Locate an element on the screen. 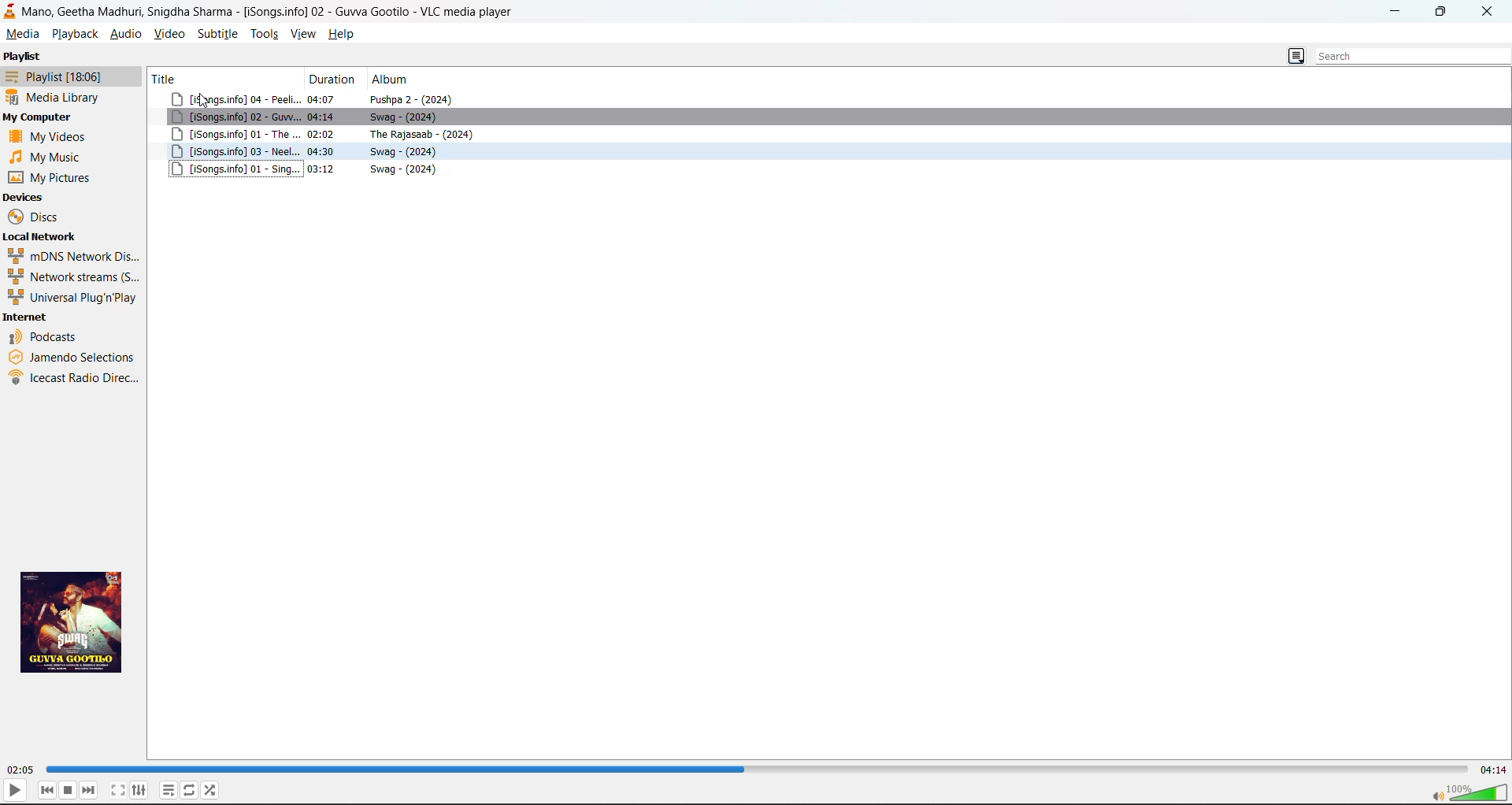 Image resolution: width=1512 pixels, height=805 pixels. album is located at coordinates (395, 80).